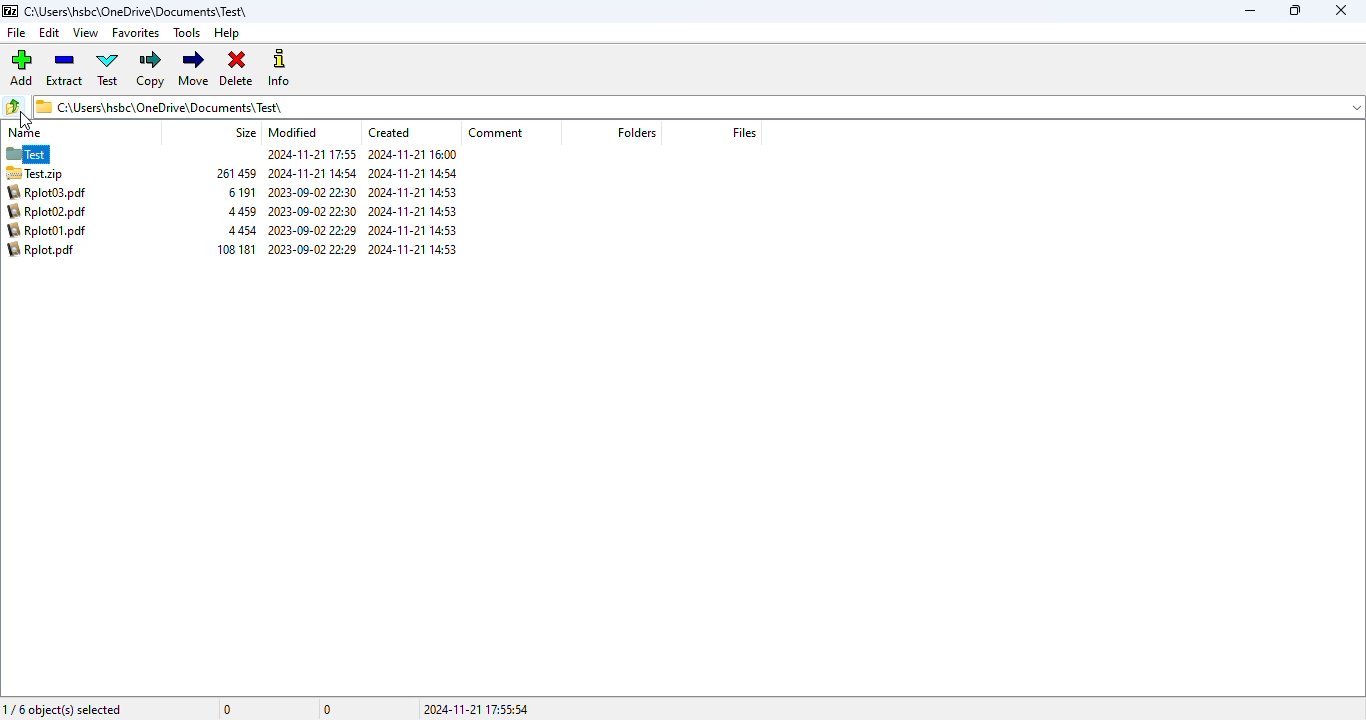  What do you see at coordinates (48, 173) in the screenshot?
I see `Test.zip` at bounding box center [48, 173].